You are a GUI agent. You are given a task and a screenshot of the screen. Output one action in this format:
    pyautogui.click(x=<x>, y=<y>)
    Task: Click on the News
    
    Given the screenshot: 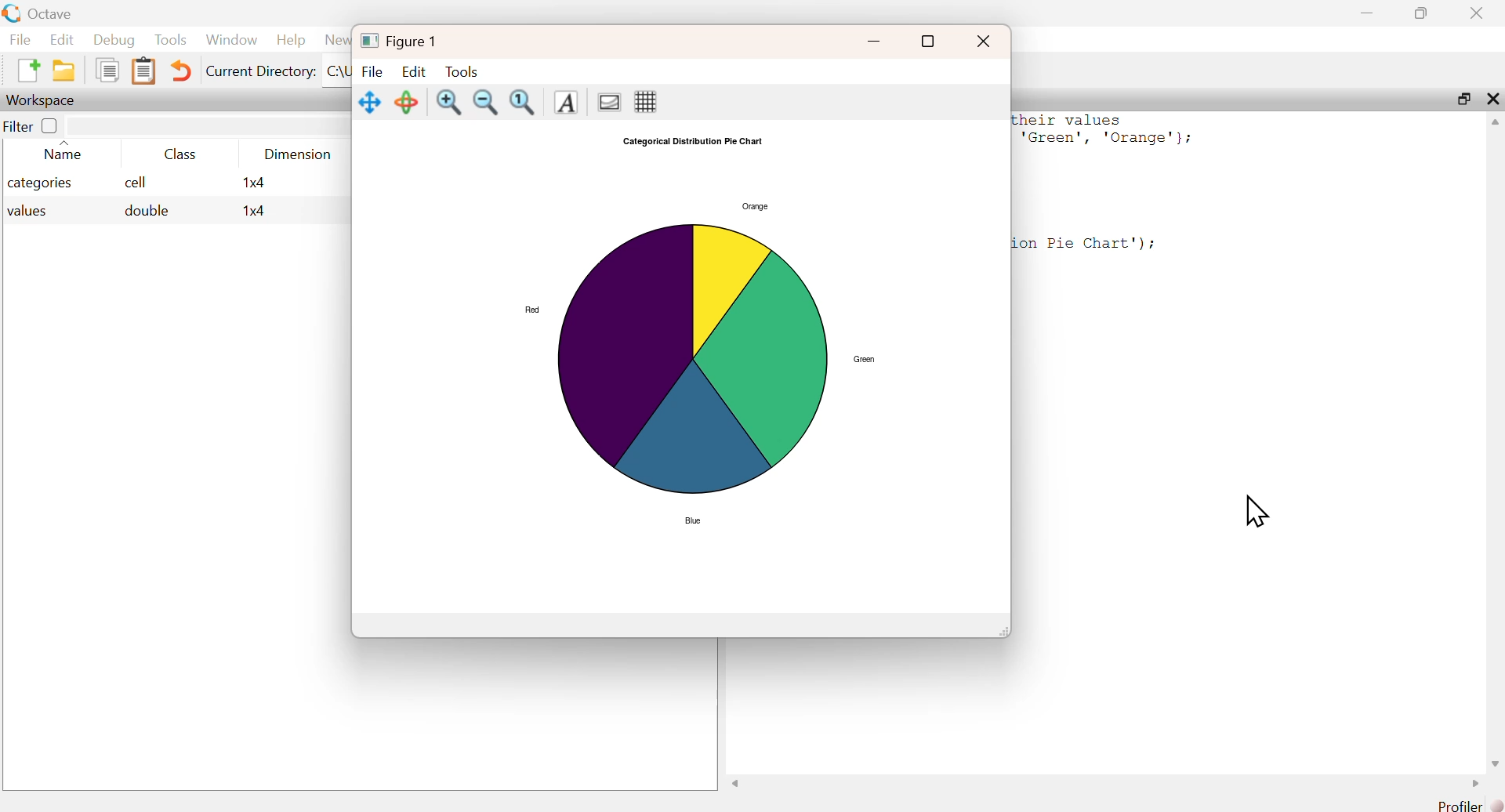 What is the action you would take?
    pyautogui.click(x=337, y=41)
    